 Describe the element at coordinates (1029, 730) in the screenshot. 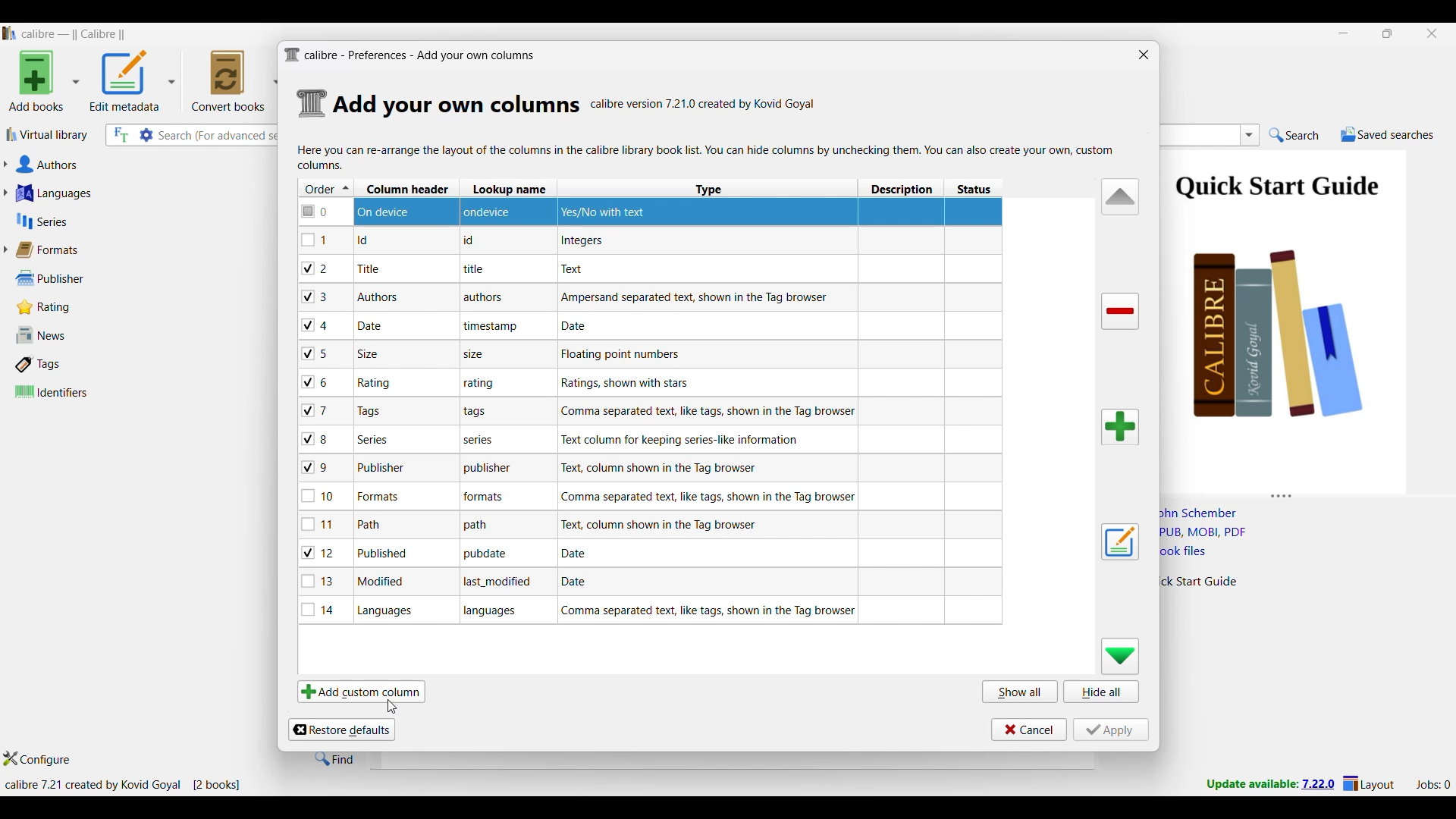

I see `Cancel` at that location.